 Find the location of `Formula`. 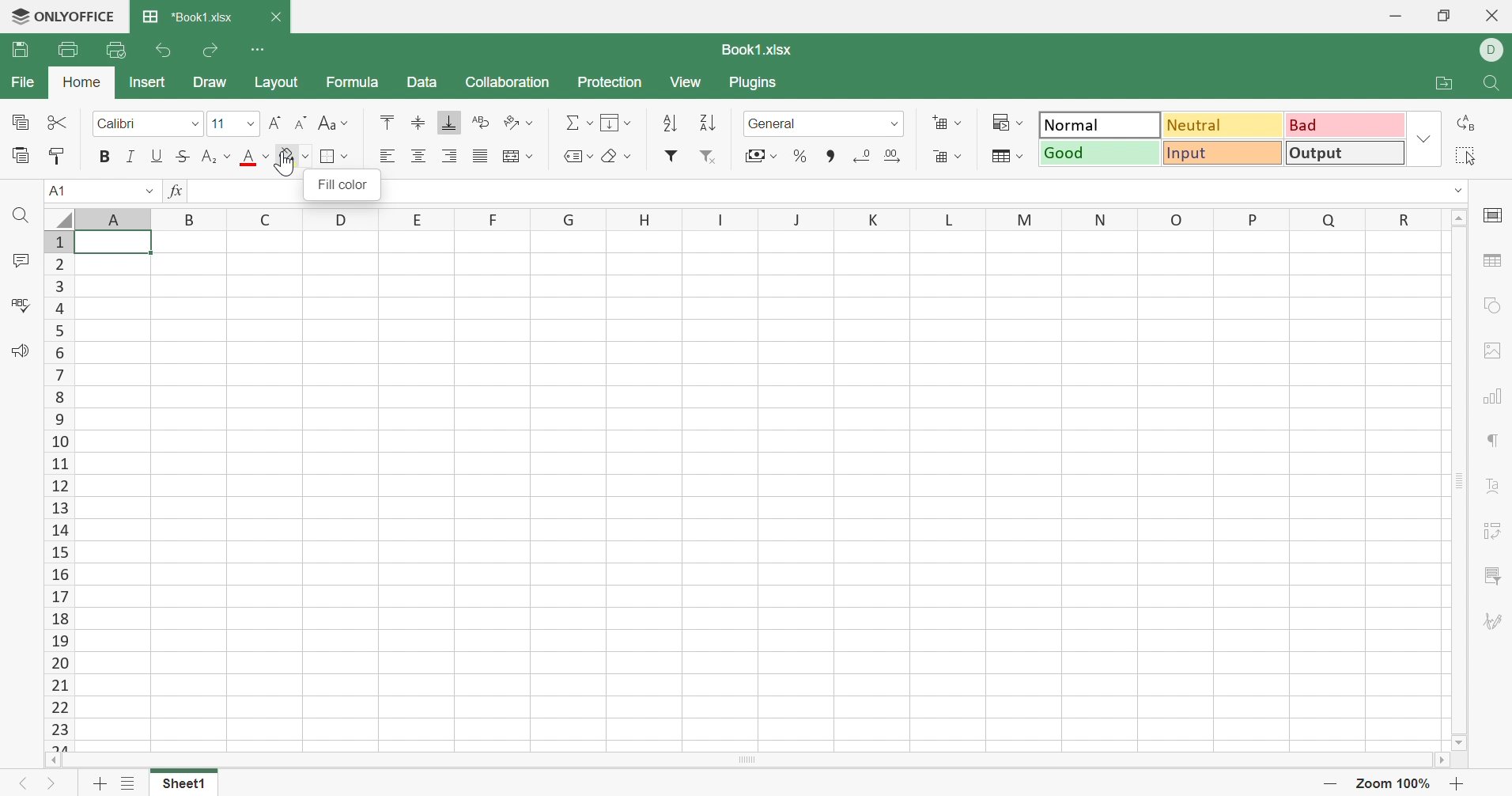

Formula is located at coordinates (353, 81).